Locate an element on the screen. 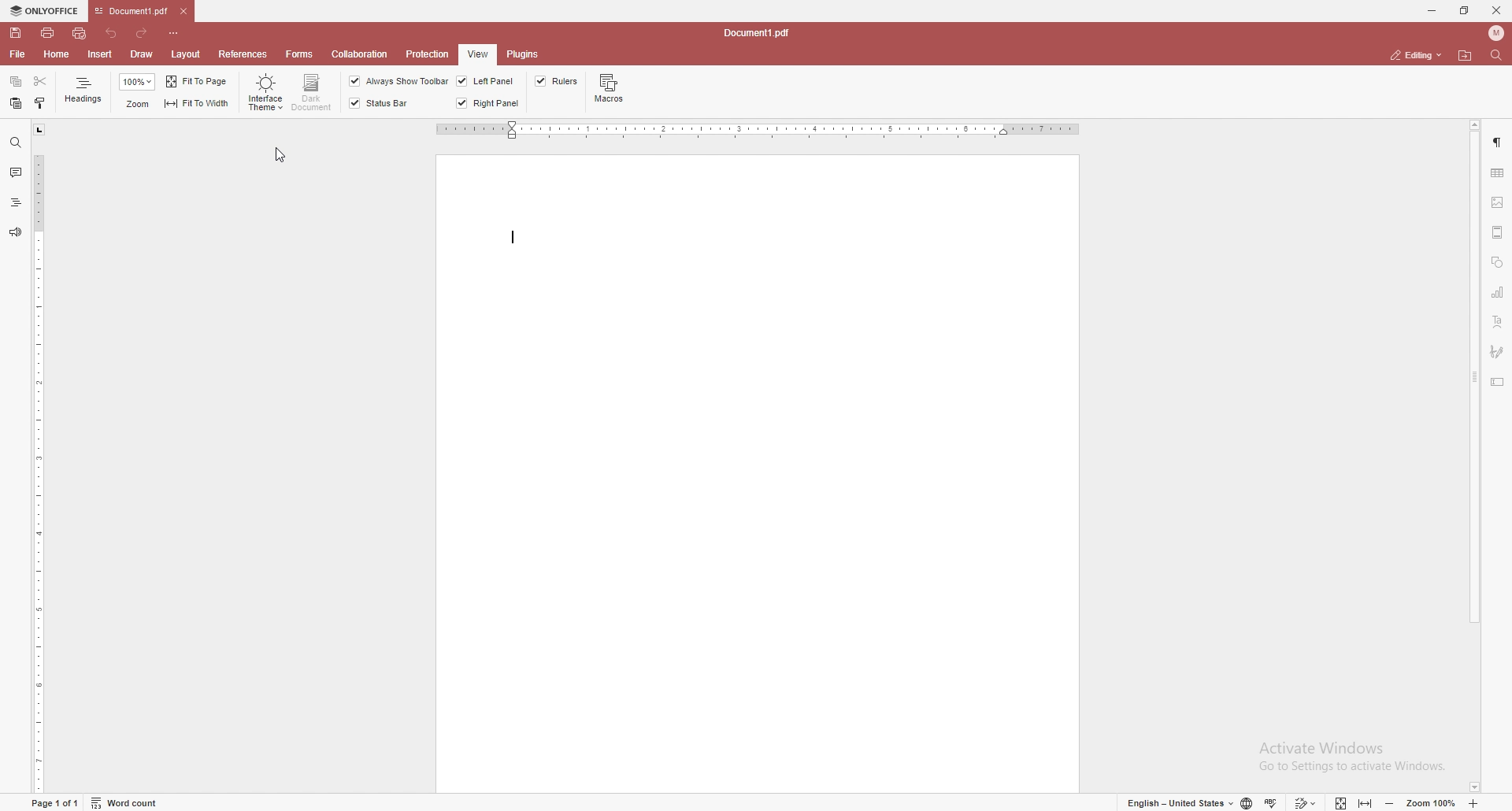  zoom is located at coordinates (138, 82).